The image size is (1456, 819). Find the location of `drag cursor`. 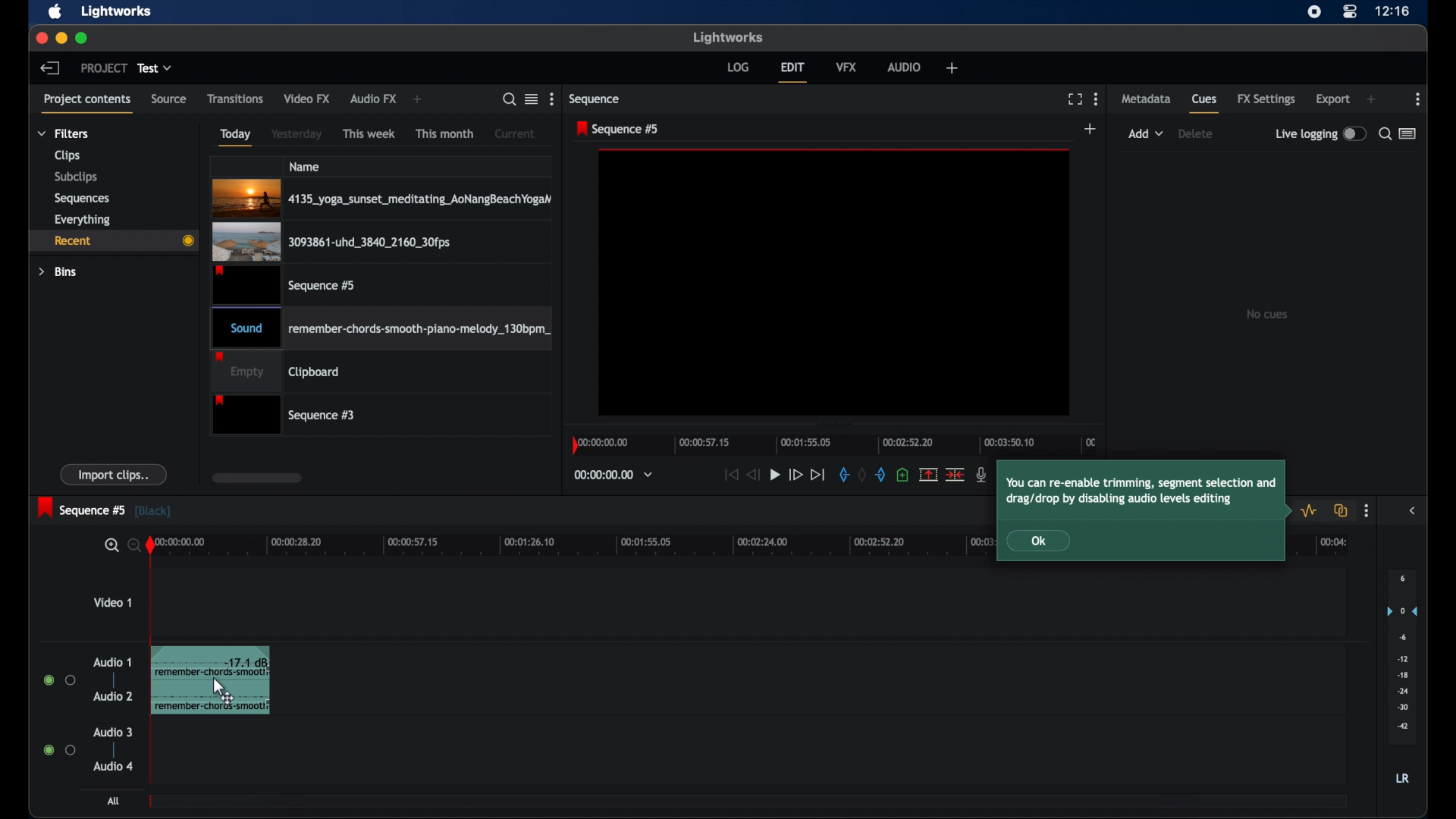

drag cursor is located at coordinates (219, 692).